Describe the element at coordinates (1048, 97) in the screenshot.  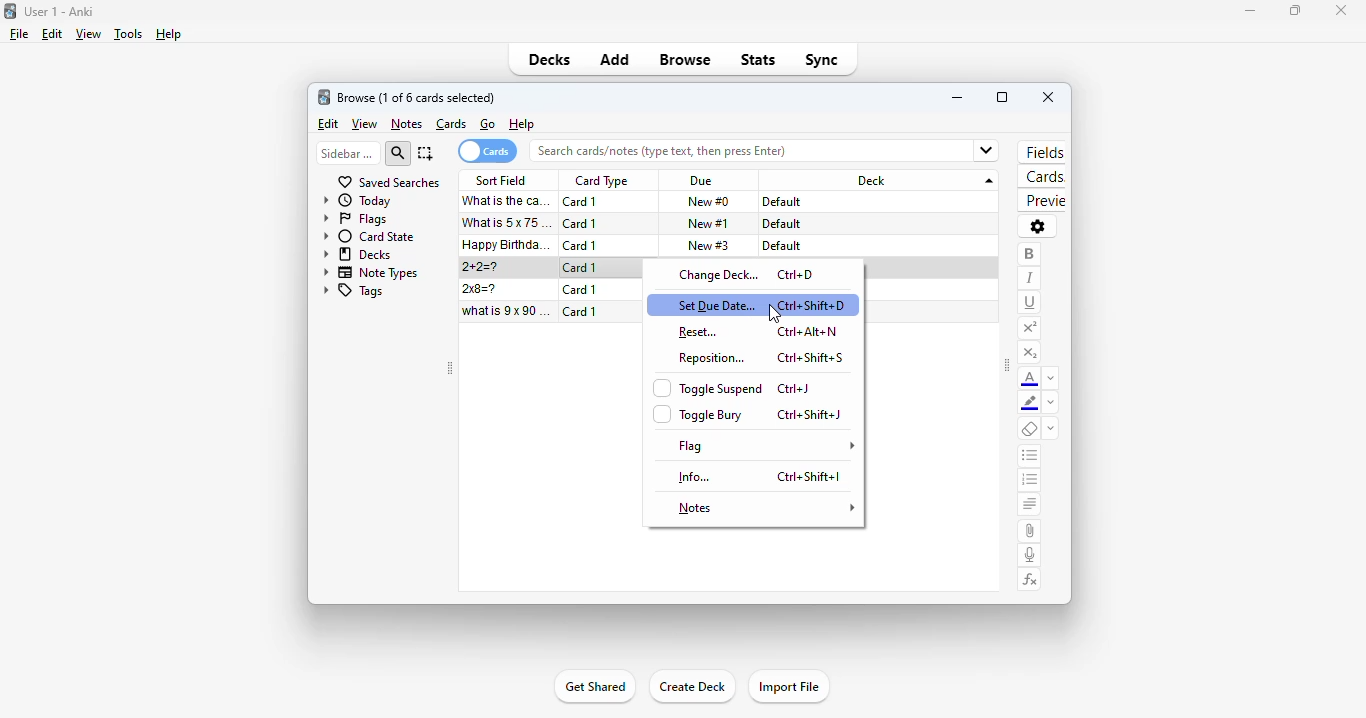
I see `close` at that location.